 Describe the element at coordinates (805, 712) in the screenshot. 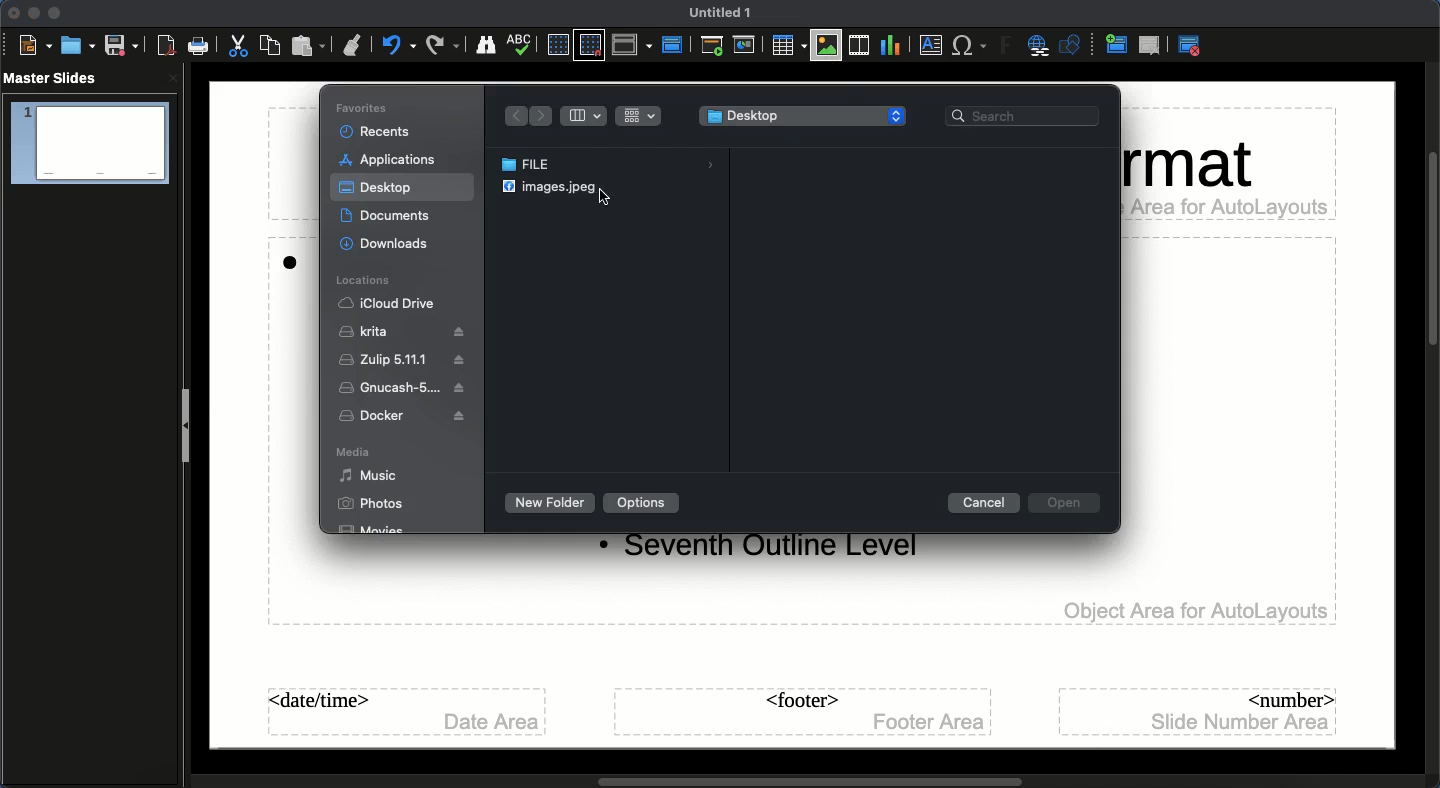

I see `Master slide footer` at that location.